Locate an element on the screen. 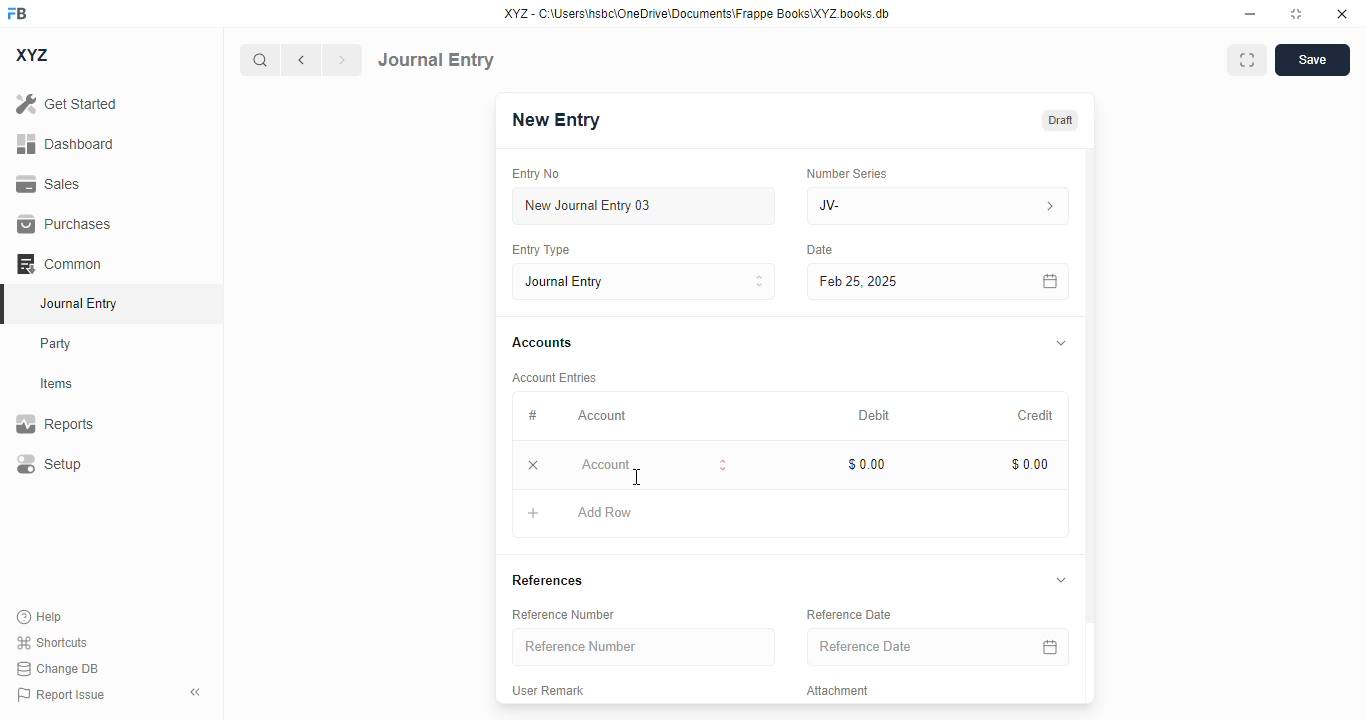  JV- is located at coordinates (894, 206).